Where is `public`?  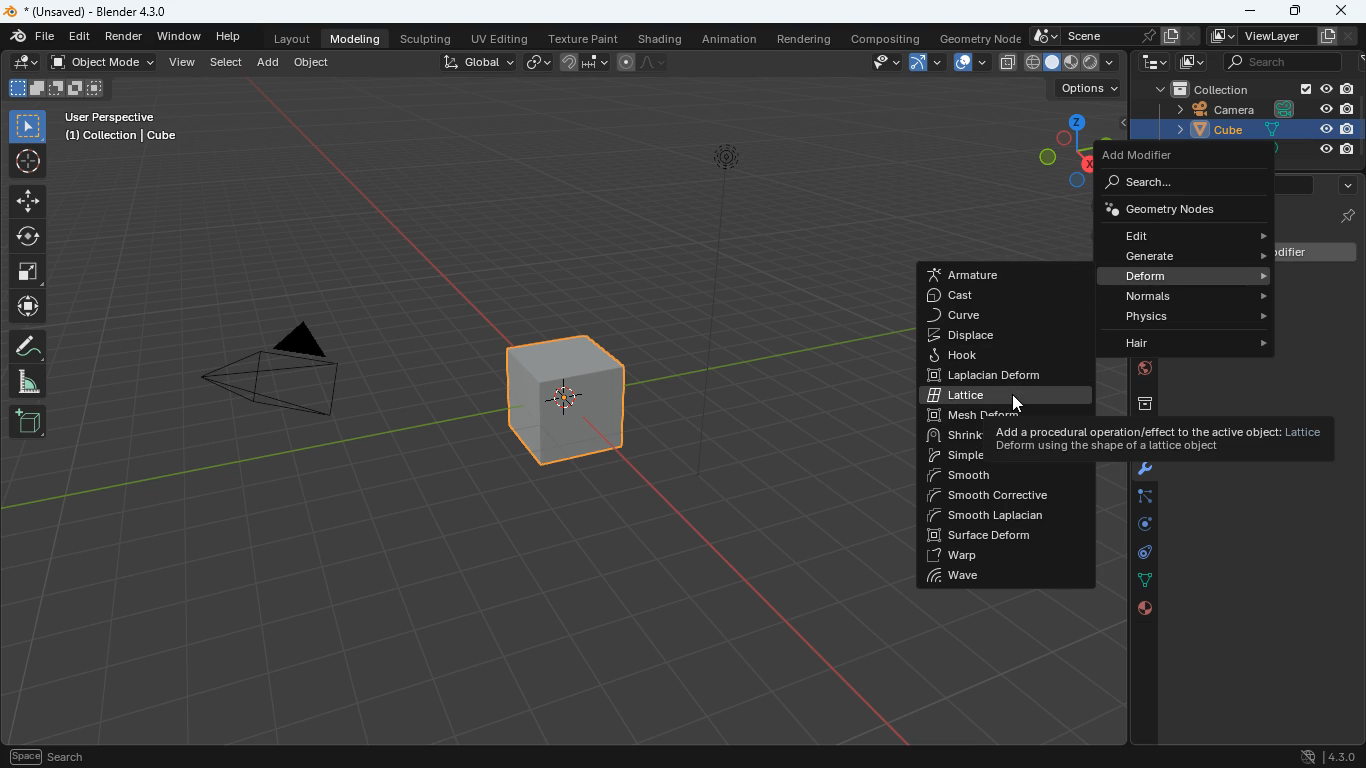 public is located at coordinates (1144, 610).